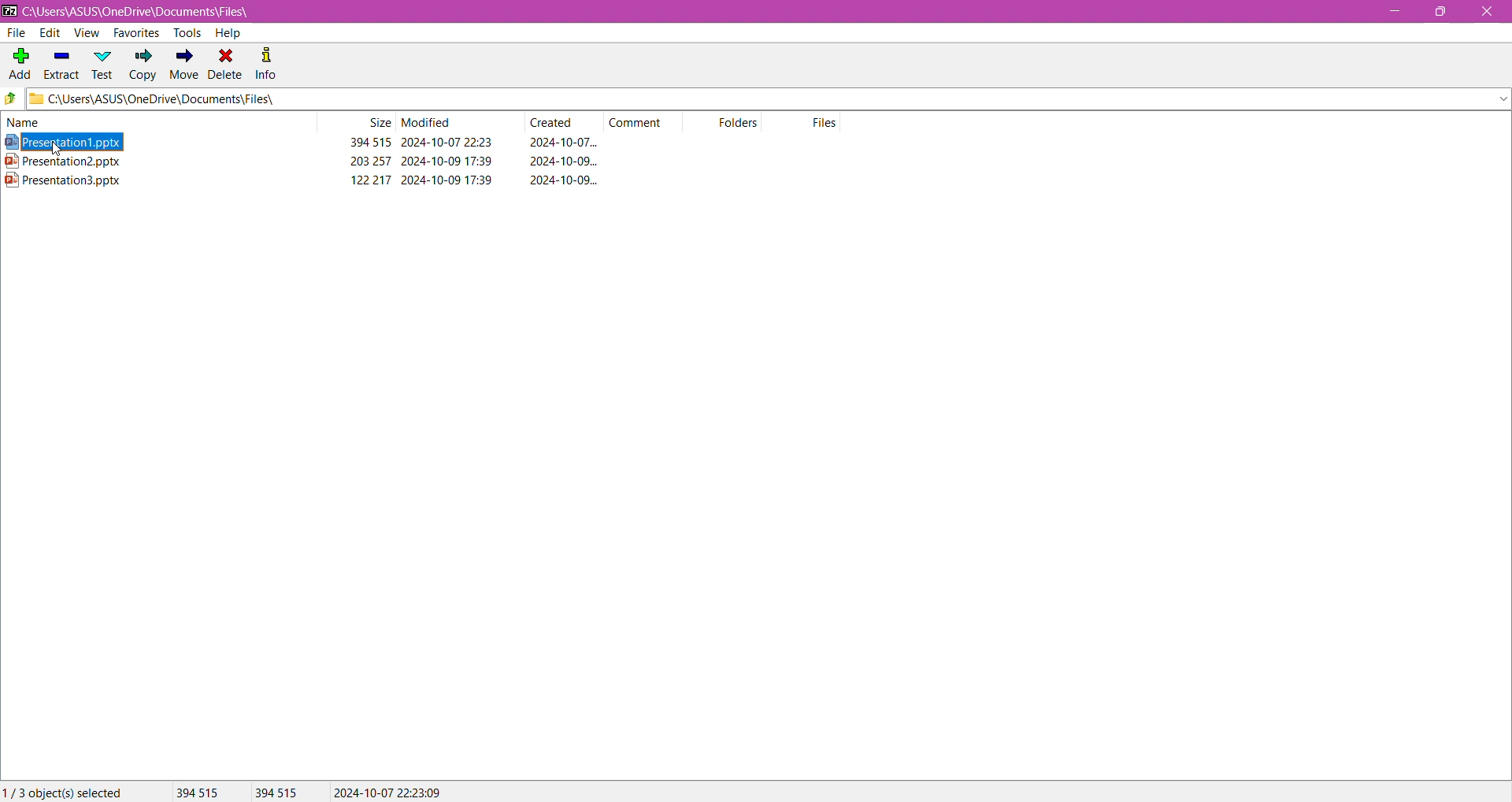 Image resolution: width=1512 pixels, height=802 pixels. I want to click on Application Logo, so click(9, 10).